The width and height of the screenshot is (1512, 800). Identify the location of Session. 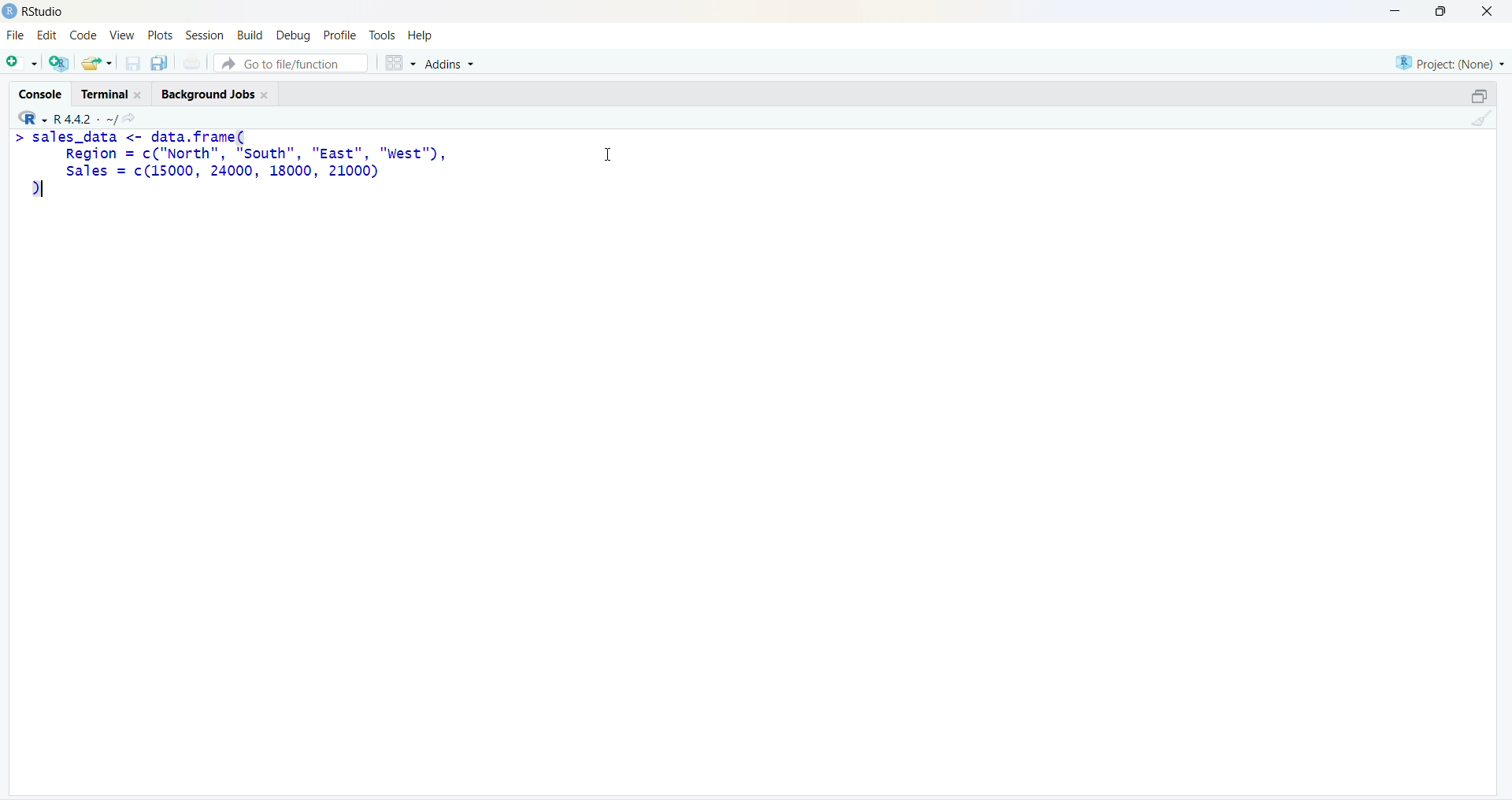
(202, 35).